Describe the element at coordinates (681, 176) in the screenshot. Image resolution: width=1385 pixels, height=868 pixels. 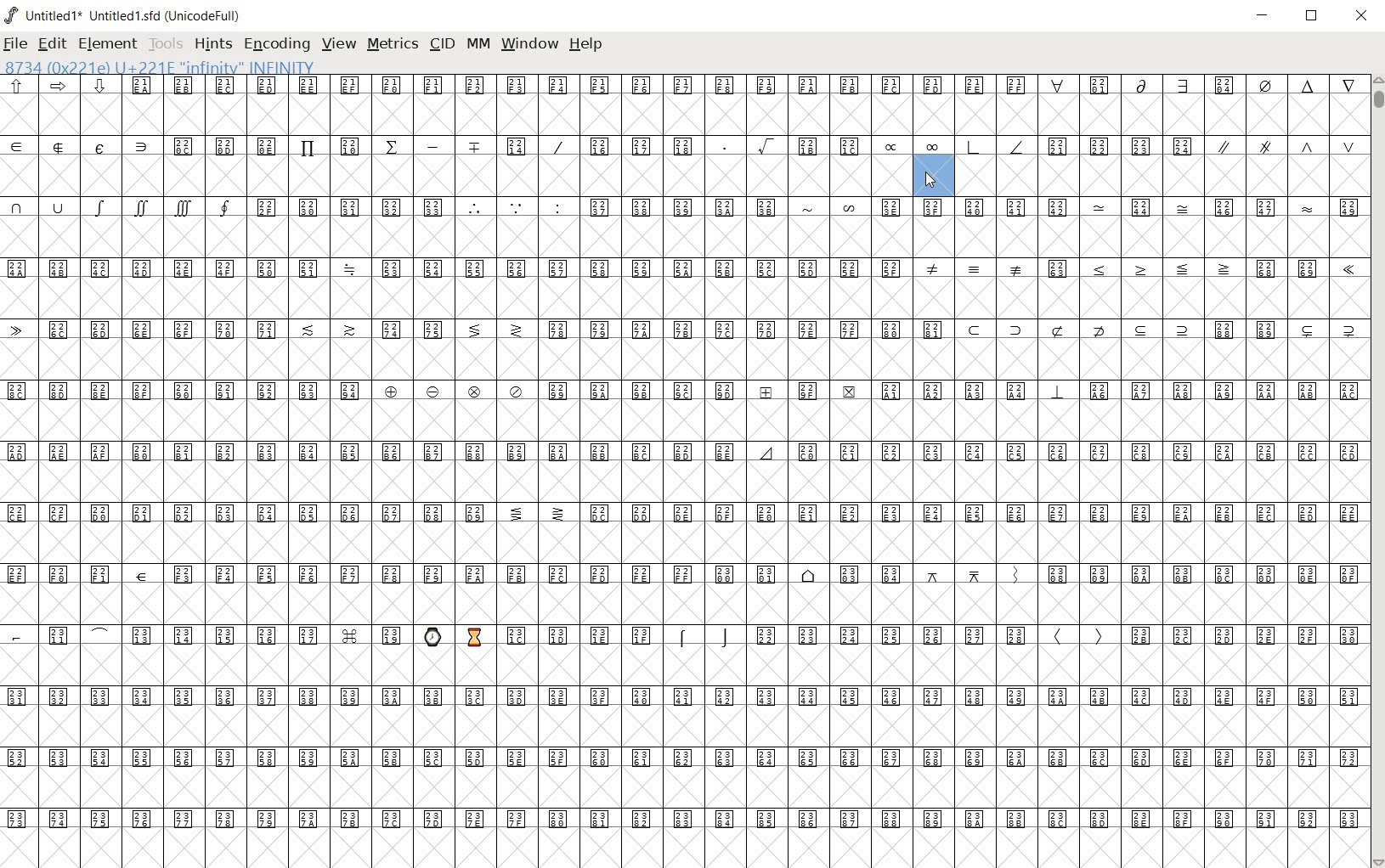
I see `empty glyph slots` at that location.